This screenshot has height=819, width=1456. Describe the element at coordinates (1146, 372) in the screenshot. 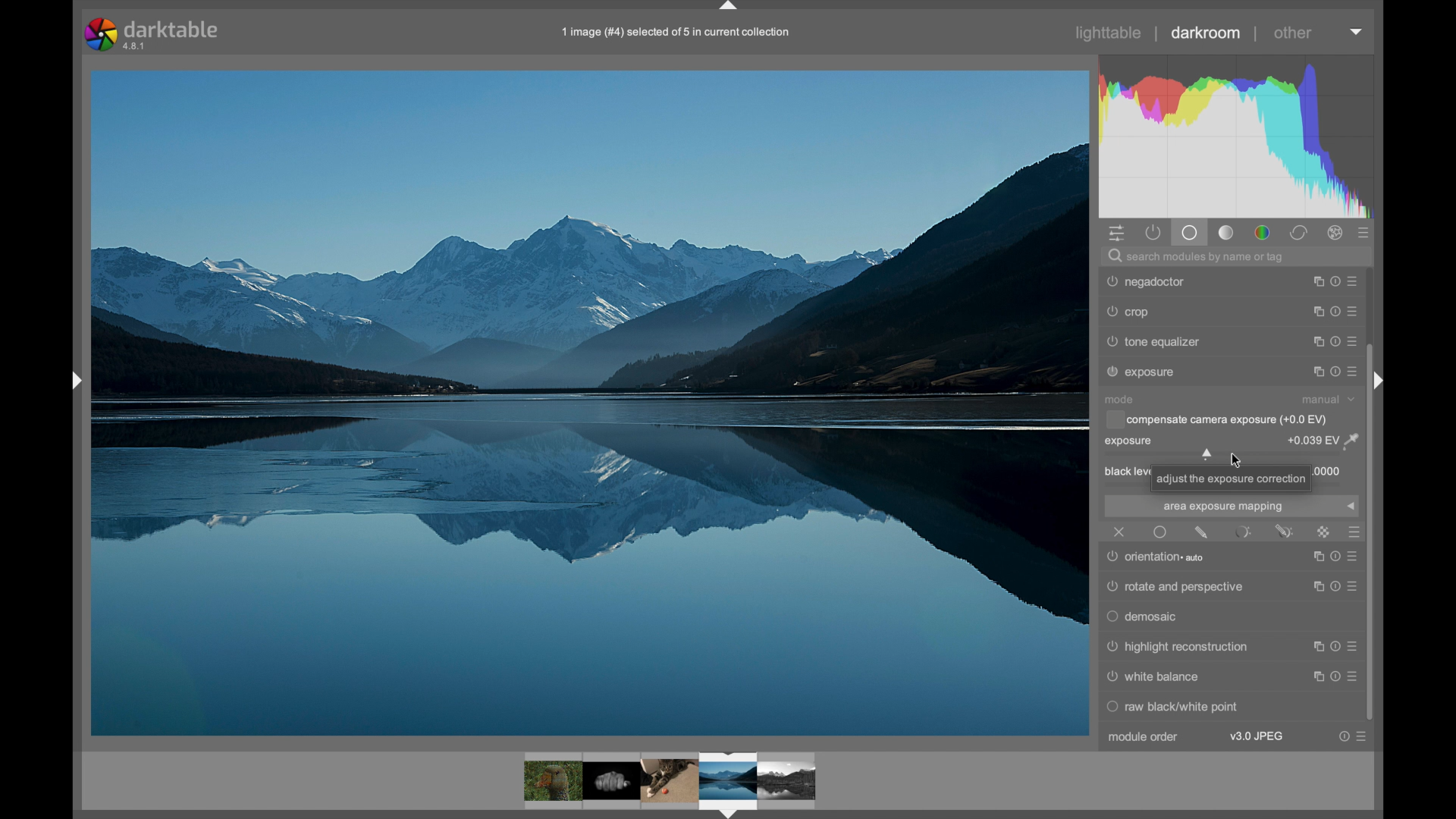

I see `negadoctor` at that location.